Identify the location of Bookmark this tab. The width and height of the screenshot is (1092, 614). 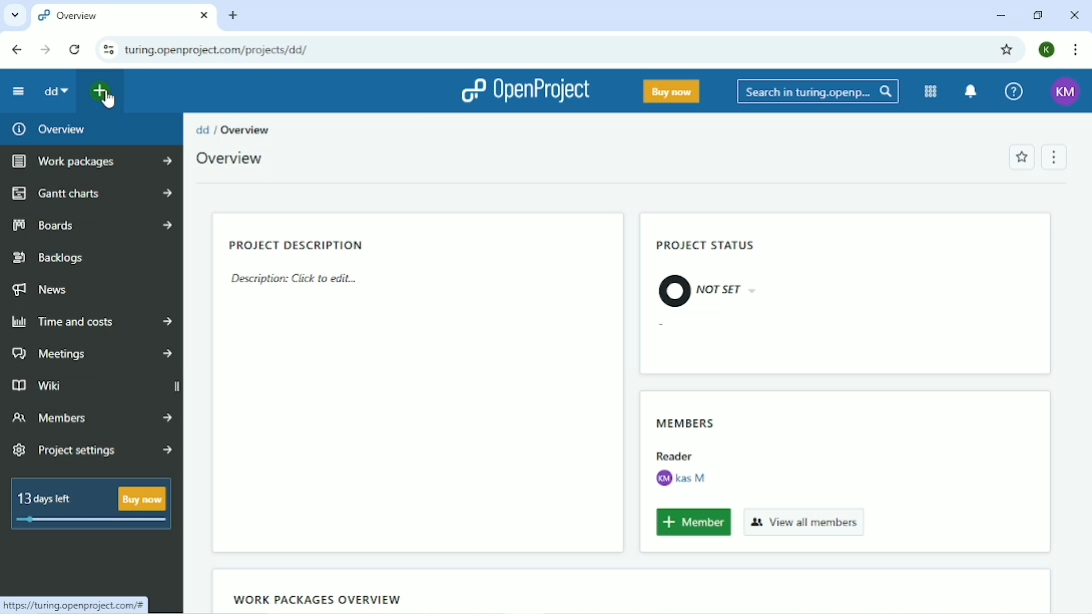
(1007, 50).